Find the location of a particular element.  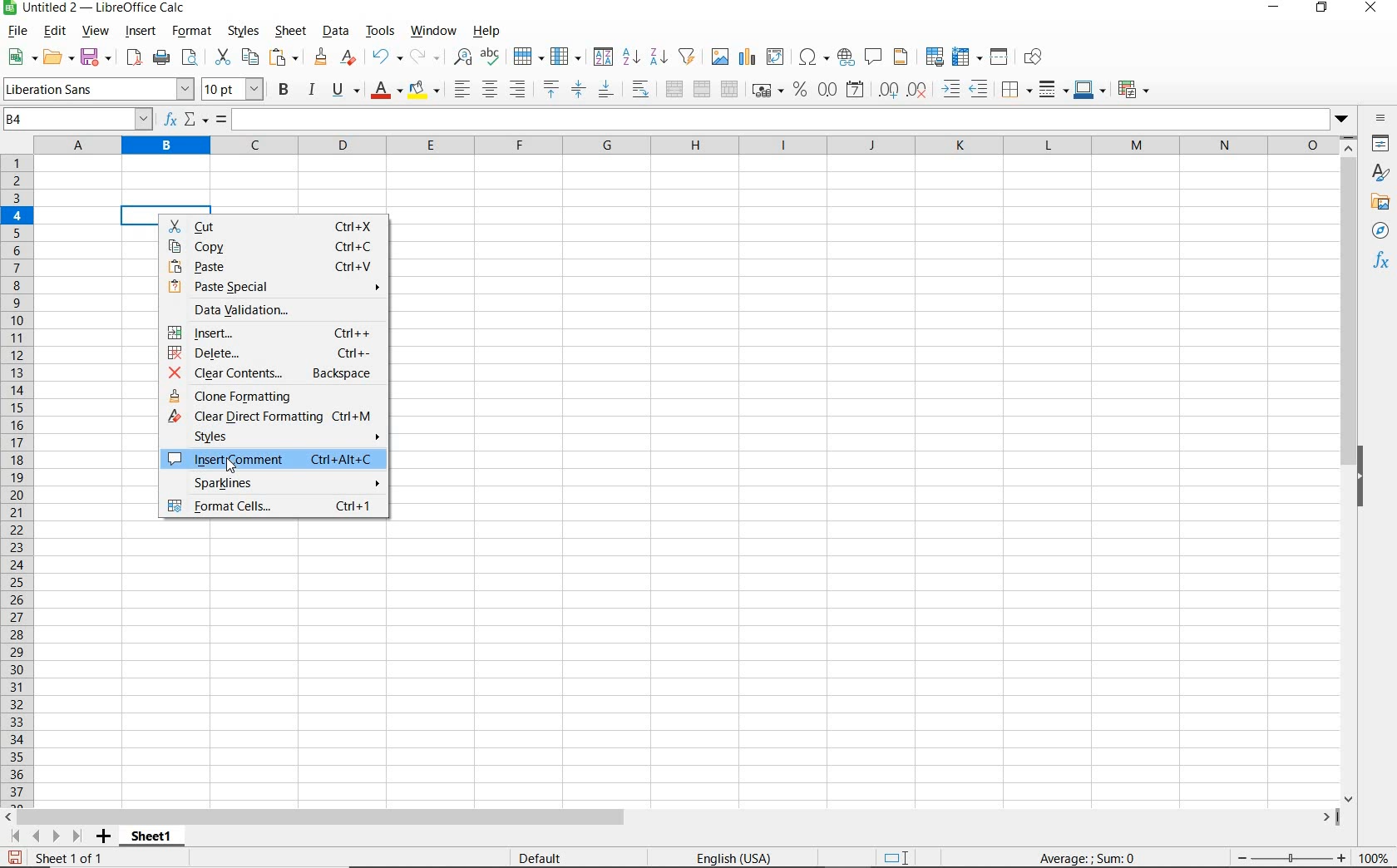

format as currency is located at coordinates (767, 90).